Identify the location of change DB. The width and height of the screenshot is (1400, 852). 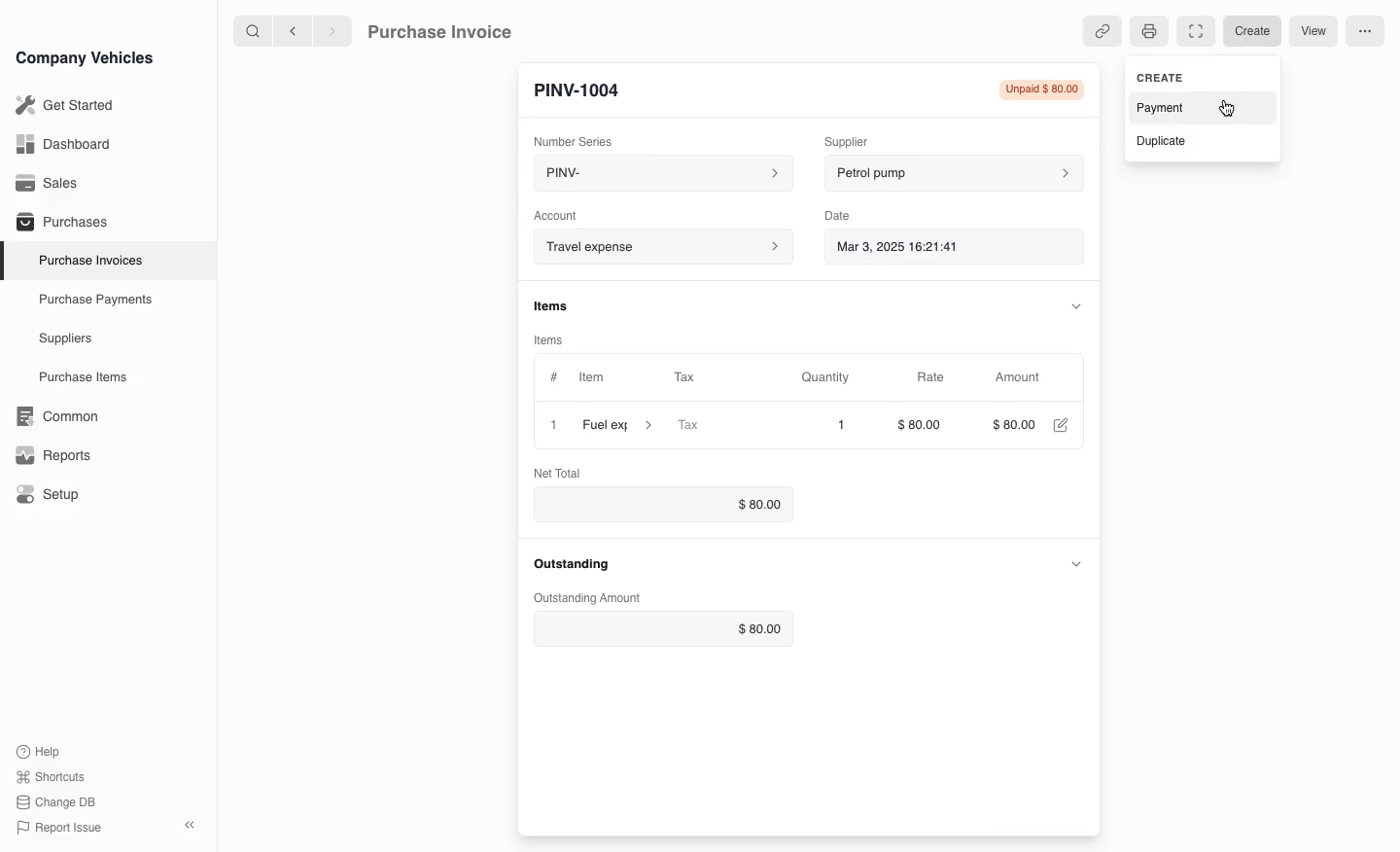
(58, 802).